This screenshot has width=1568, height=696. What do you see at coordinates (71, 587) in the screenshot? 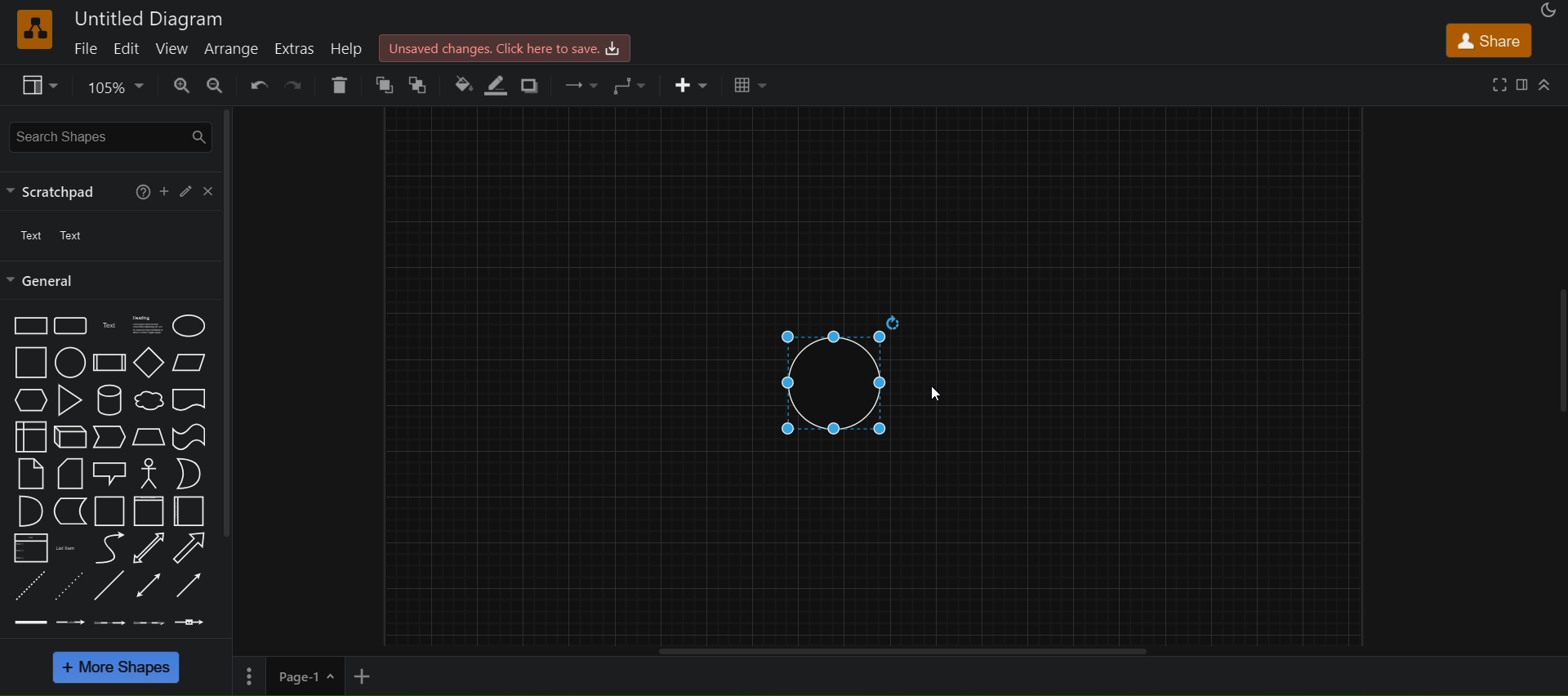
I see `dotted line` at bounding box center [71, 587].